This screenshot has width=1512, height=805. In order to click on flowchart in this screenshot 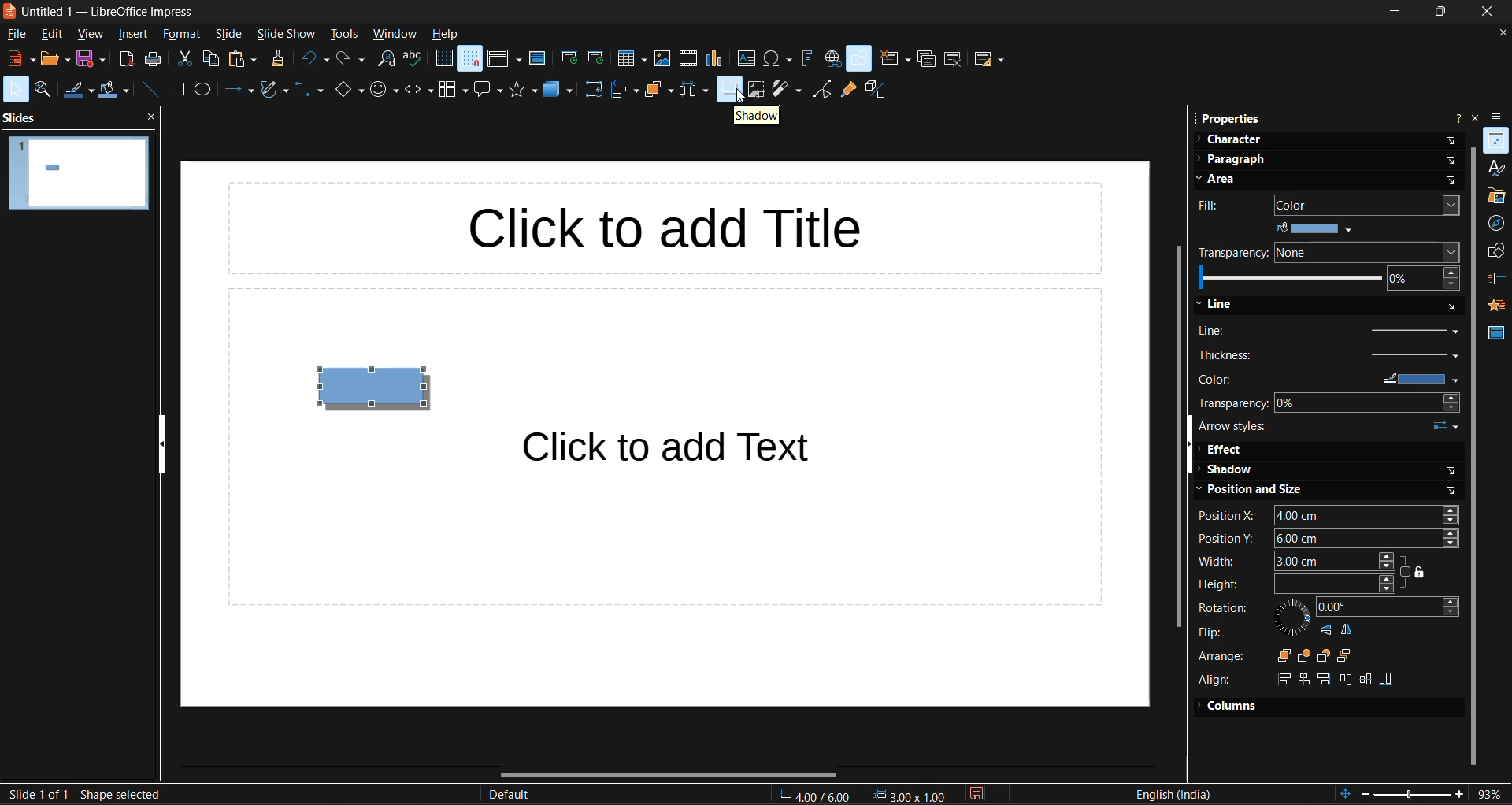, I will do `click(452, 90)`.